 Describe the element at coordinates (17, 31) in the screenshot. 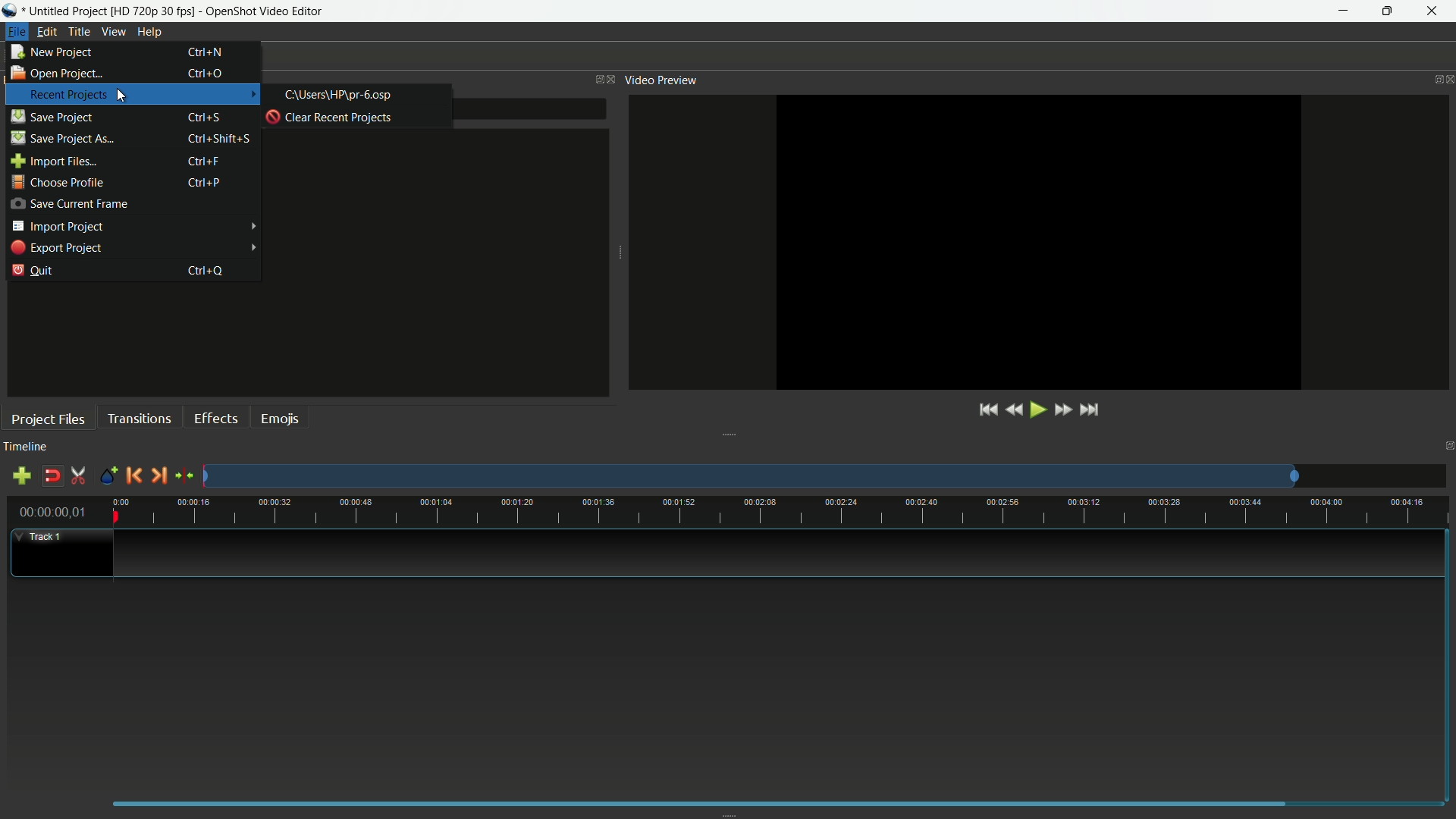

I see `file menu` at that location.